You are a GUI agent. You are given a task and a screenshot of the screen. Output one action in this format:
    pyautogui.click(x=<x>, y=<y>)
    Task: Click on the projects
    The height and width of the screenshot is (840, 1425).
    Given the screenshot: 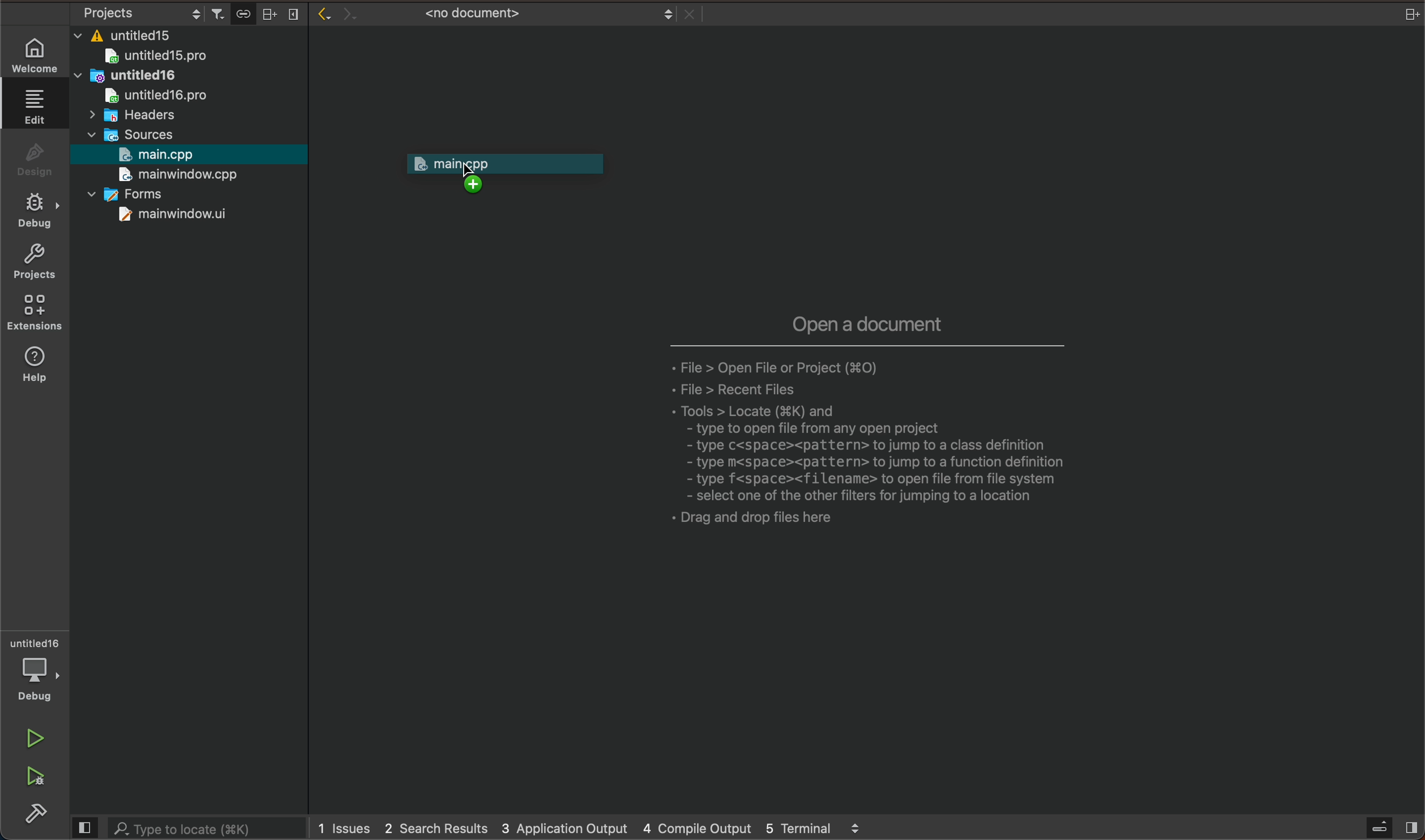 What is the action you would take?
    pyautogui.click(x=33, y=263)
    